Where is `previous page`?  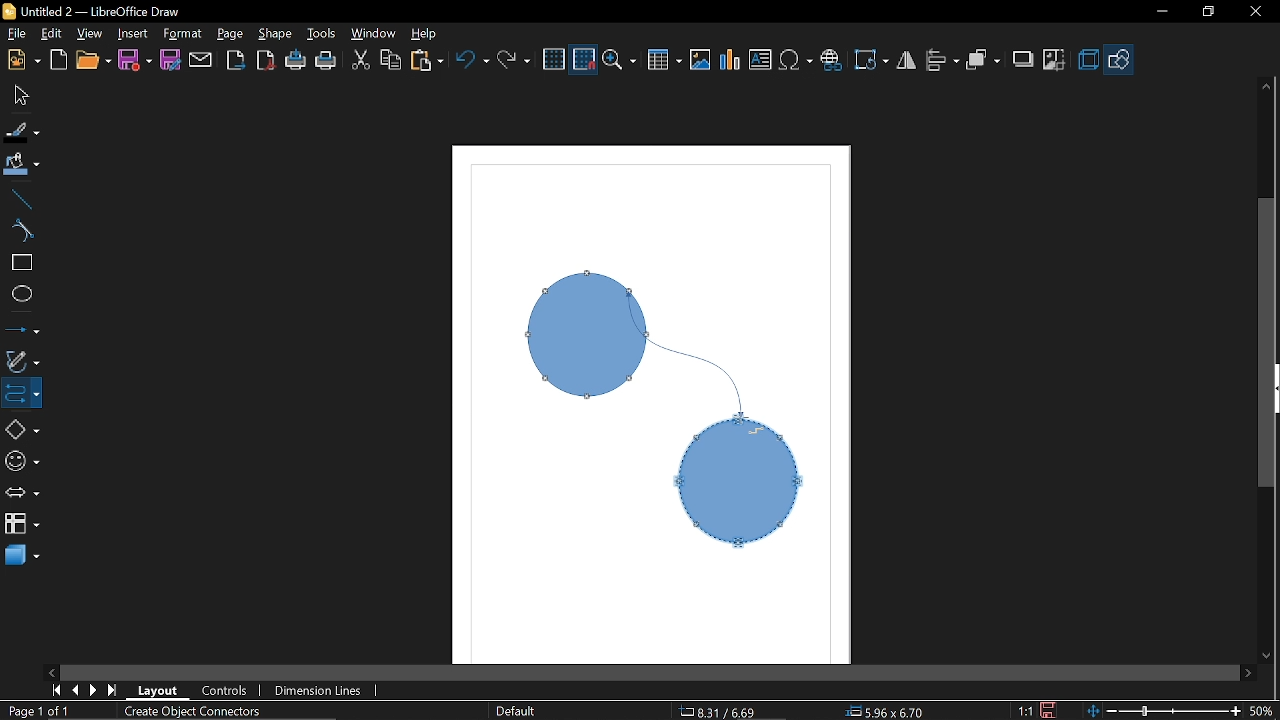 previous page is located at coordinates (72, 691).